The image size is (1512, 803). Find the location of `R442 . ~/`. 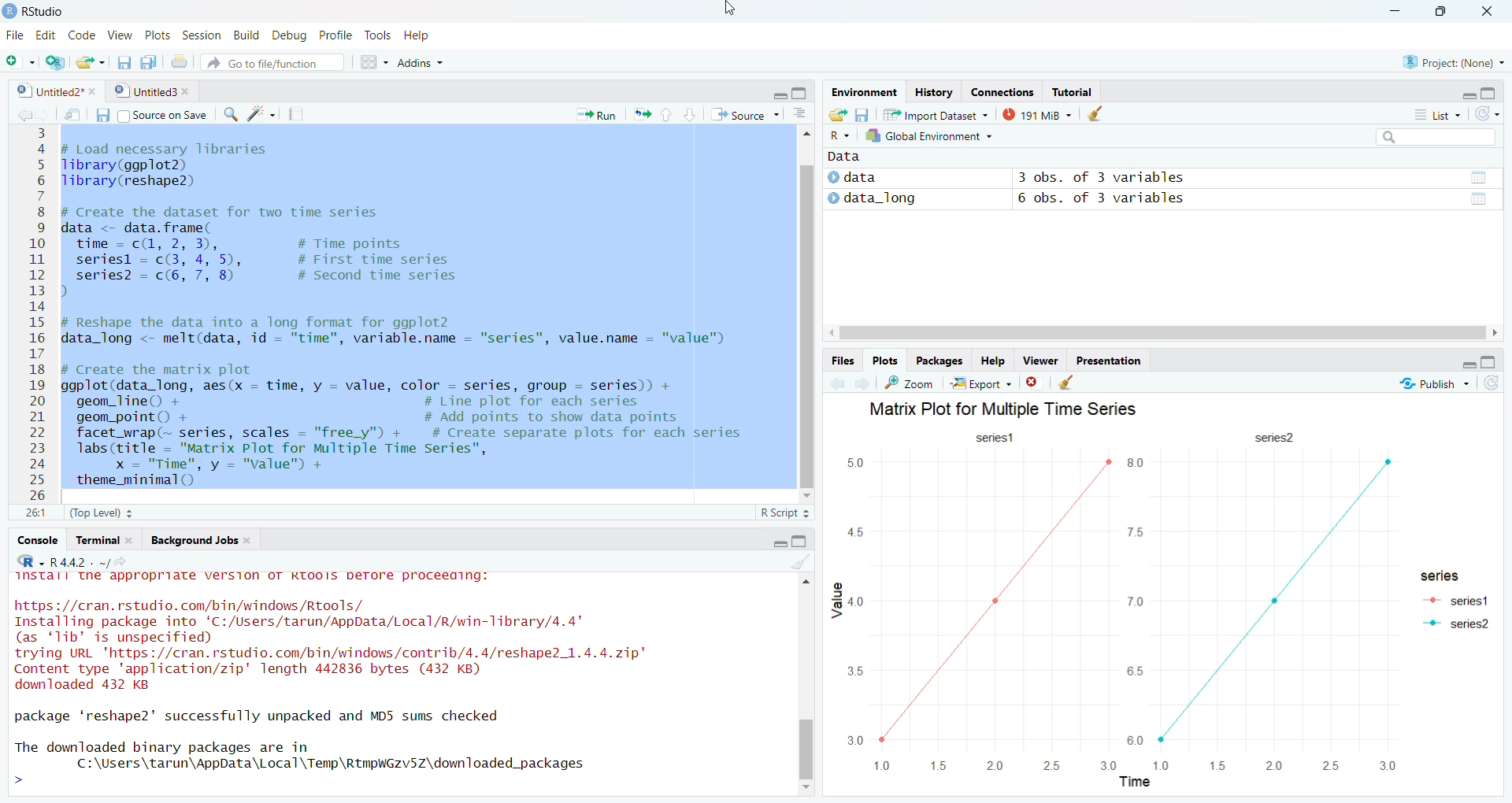

R442 . ~/ is located at coordinates (80, 561).